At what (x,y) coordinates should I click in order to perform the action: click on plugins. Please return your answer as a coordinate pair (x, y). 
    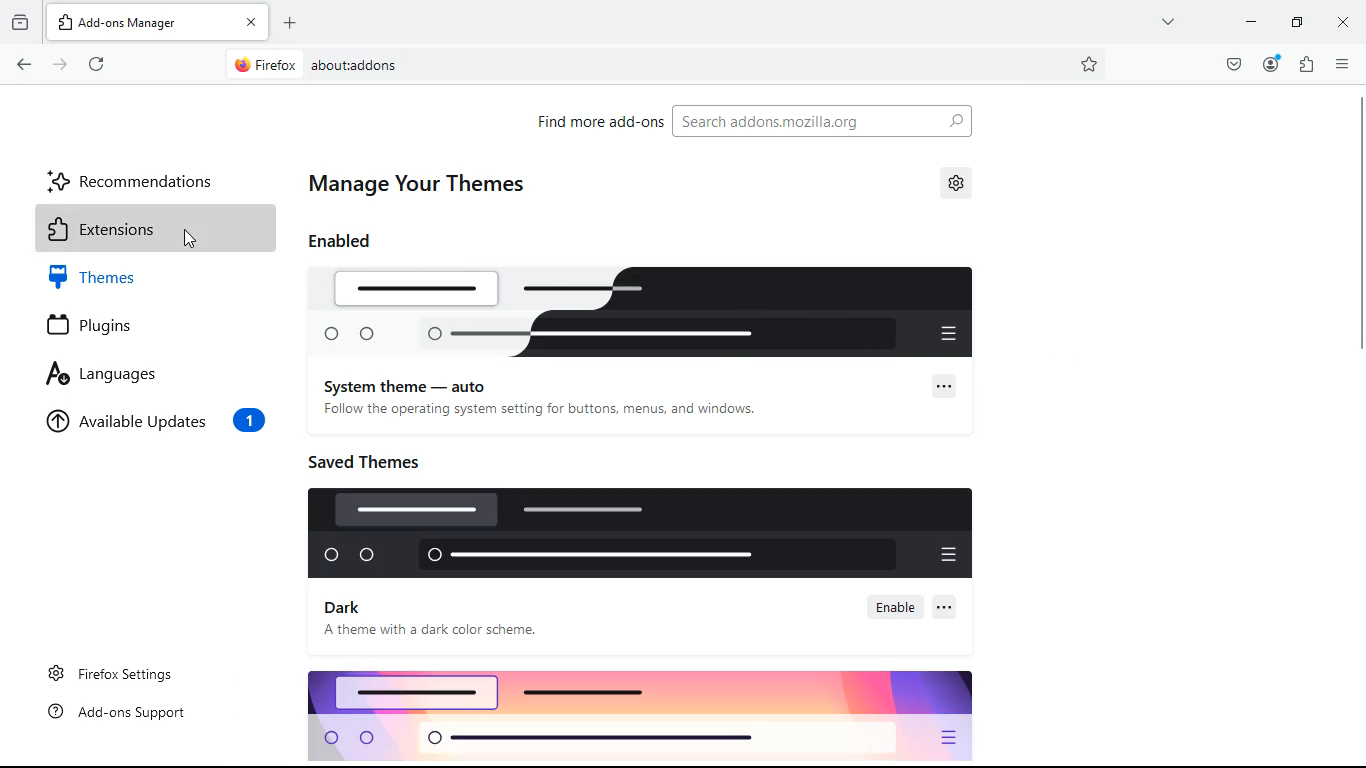
    Looking at the image, I should click on (149, 323).